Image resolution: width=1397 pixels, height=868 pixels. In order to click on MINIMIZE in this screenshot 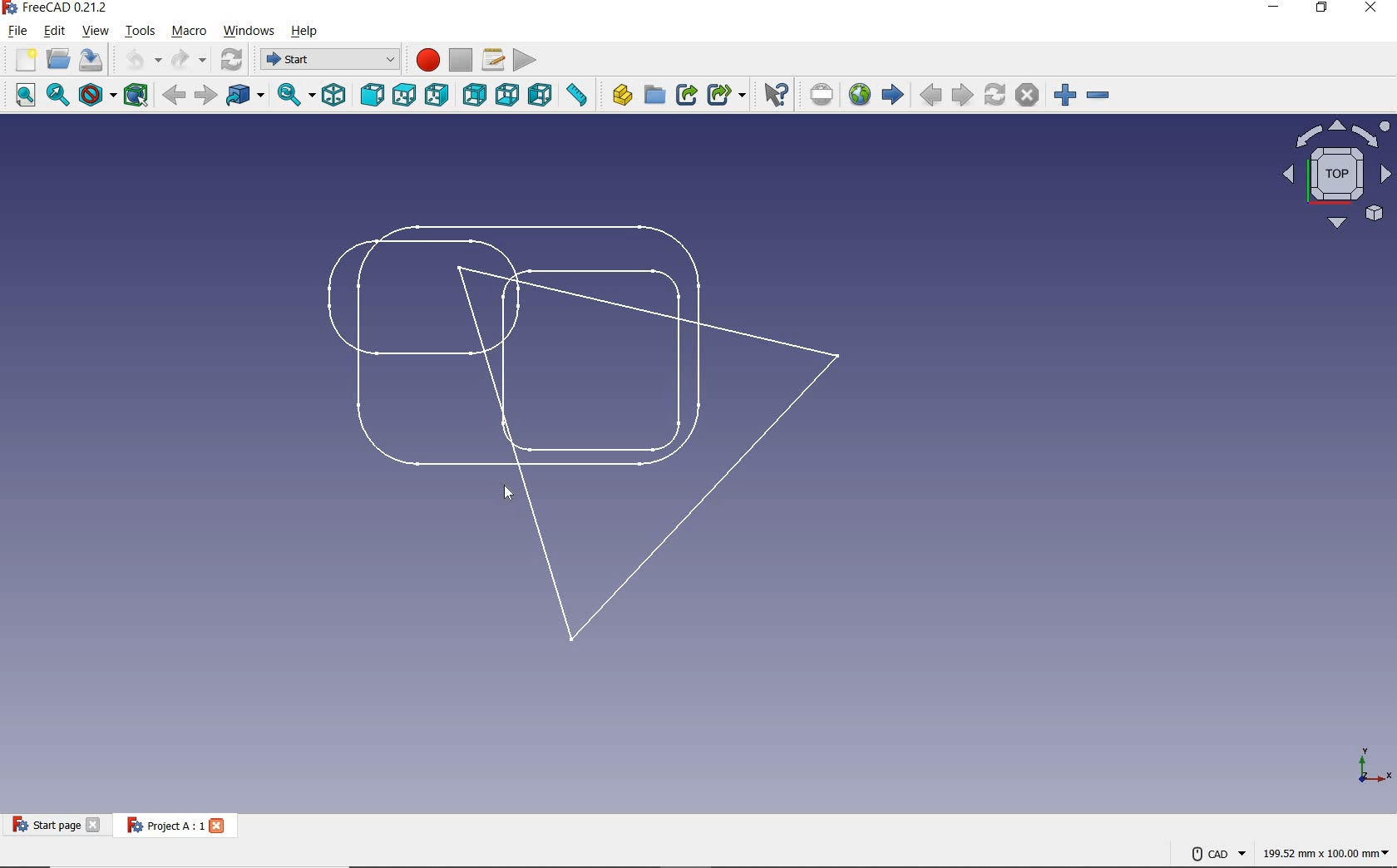, I will do `click(1276, 9)`.